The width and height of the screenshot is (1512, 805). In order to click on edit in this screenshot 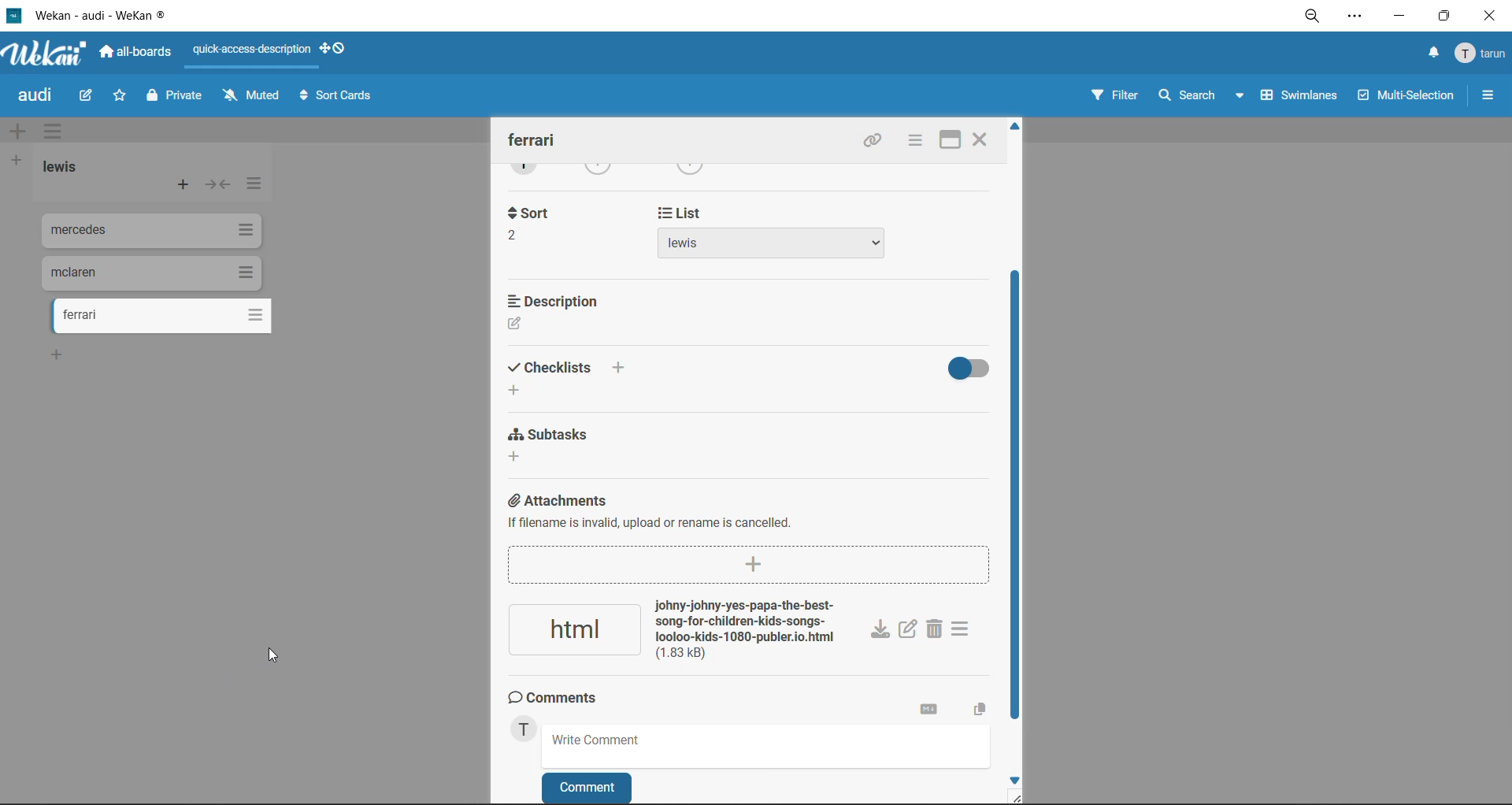, I will do `click(908, 627)`.